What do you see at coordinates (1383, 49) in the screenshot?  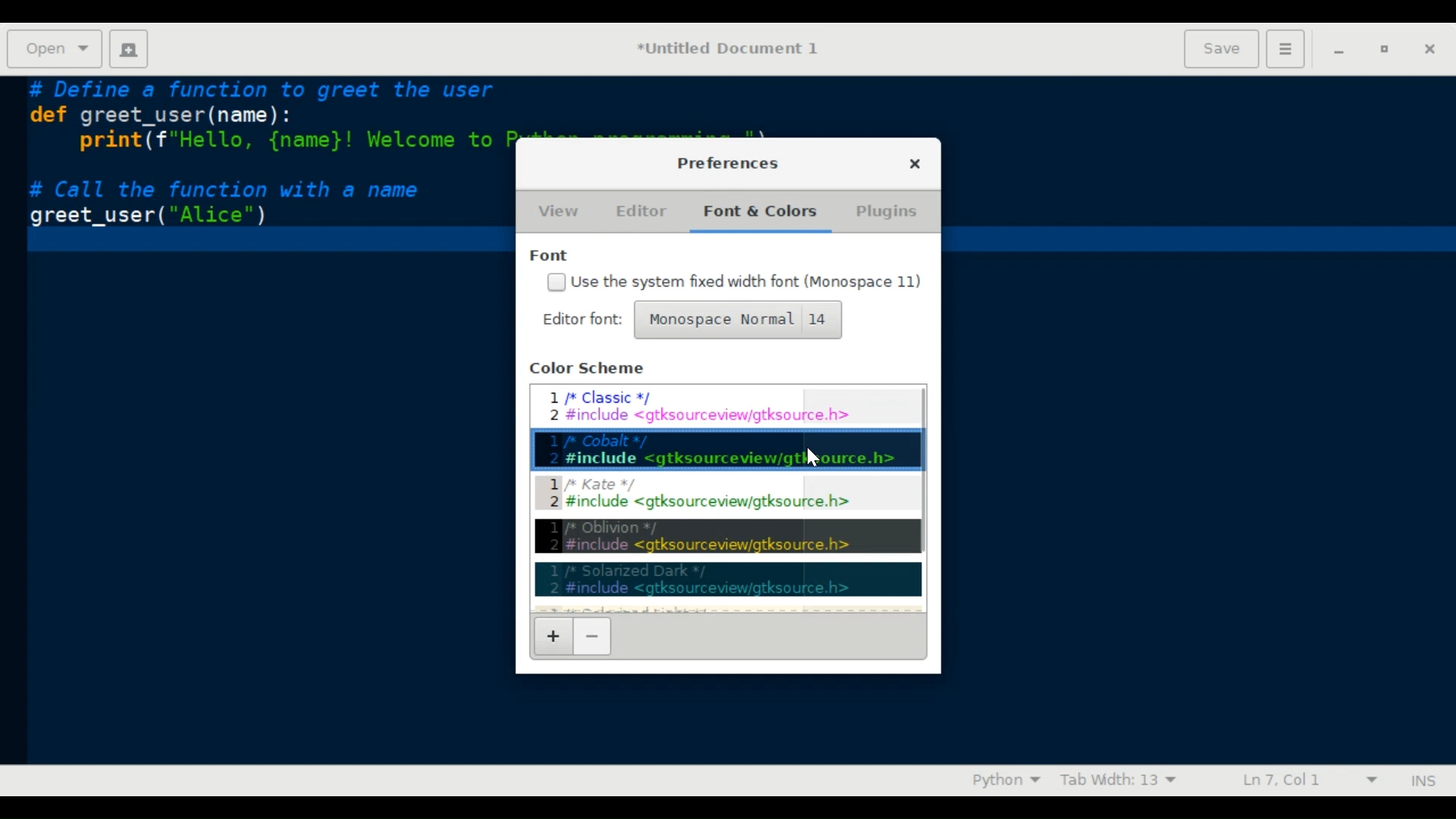 I see `Restore` at bounding box center [1383, 49].